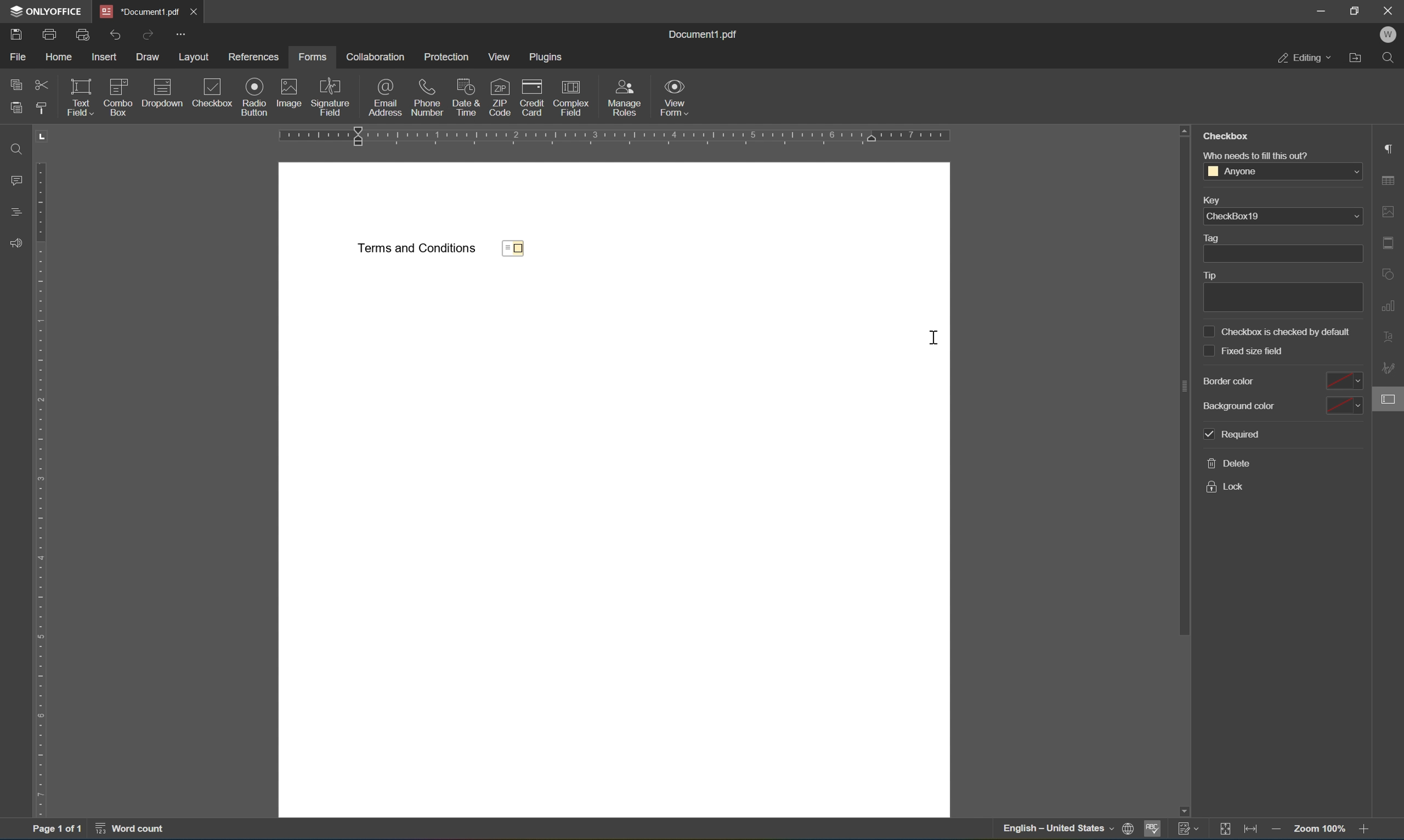 This screenshot has width=1404, height=840. Describe the element at coordinates (1279, 290) in the screenshot. I see `tip` at that location.